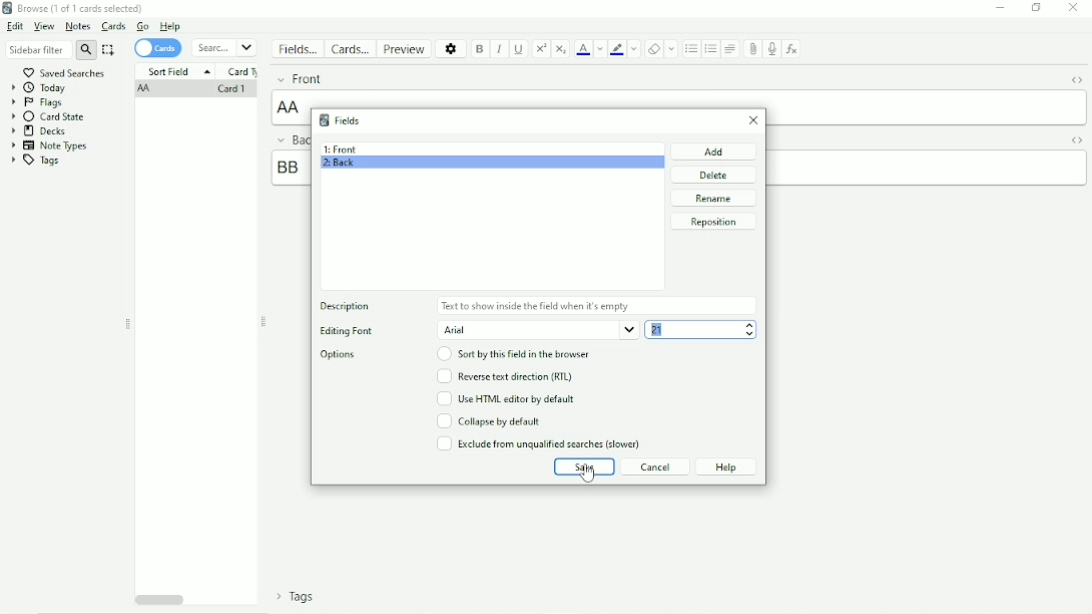  What do you see at coordinates (115, 26) in the screenshot?
I see `Cards` at bounding box center [115, 26].